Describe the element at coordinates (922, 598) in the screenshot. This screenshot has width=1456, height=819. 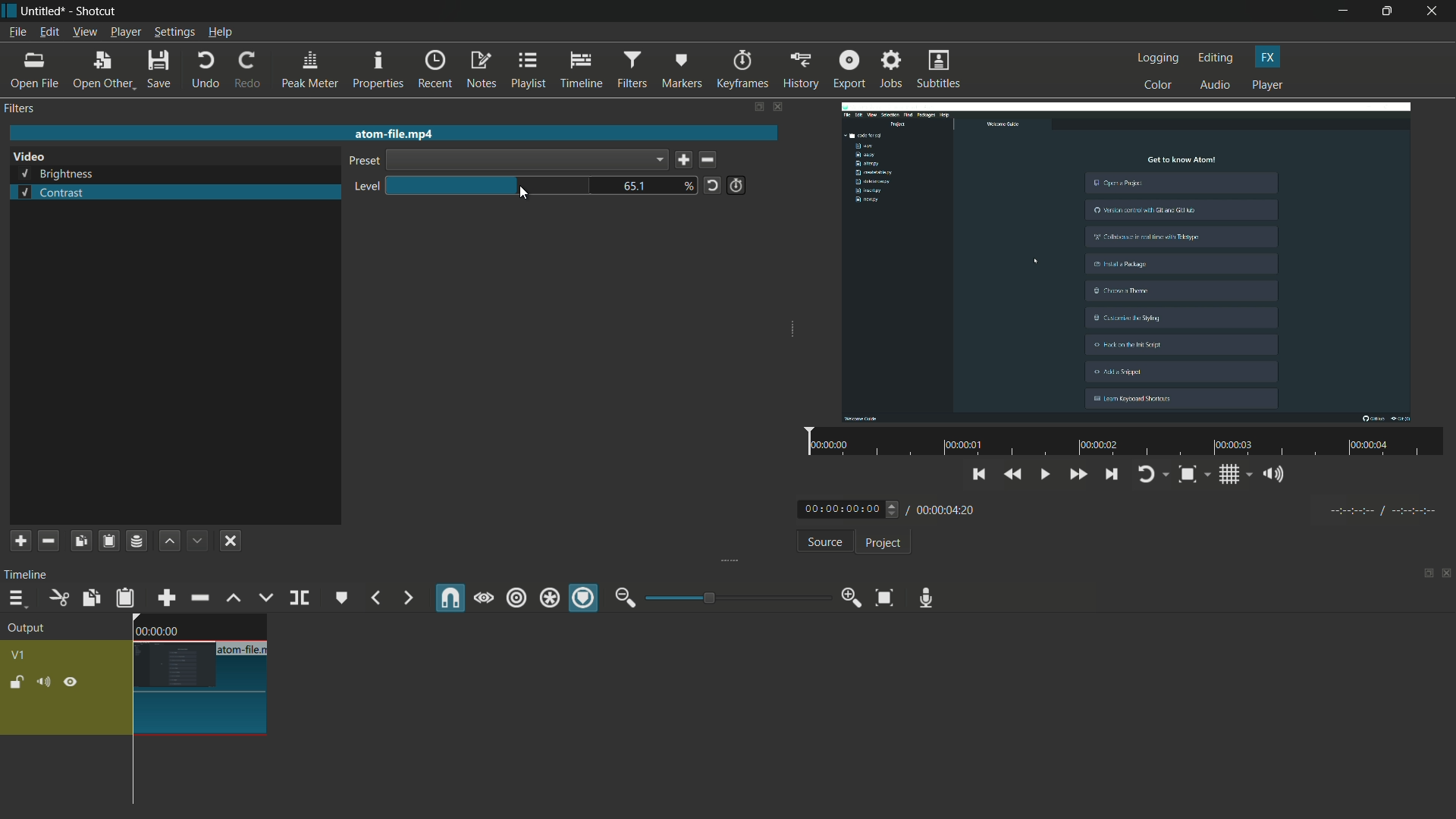
I see `record audio` at that location.